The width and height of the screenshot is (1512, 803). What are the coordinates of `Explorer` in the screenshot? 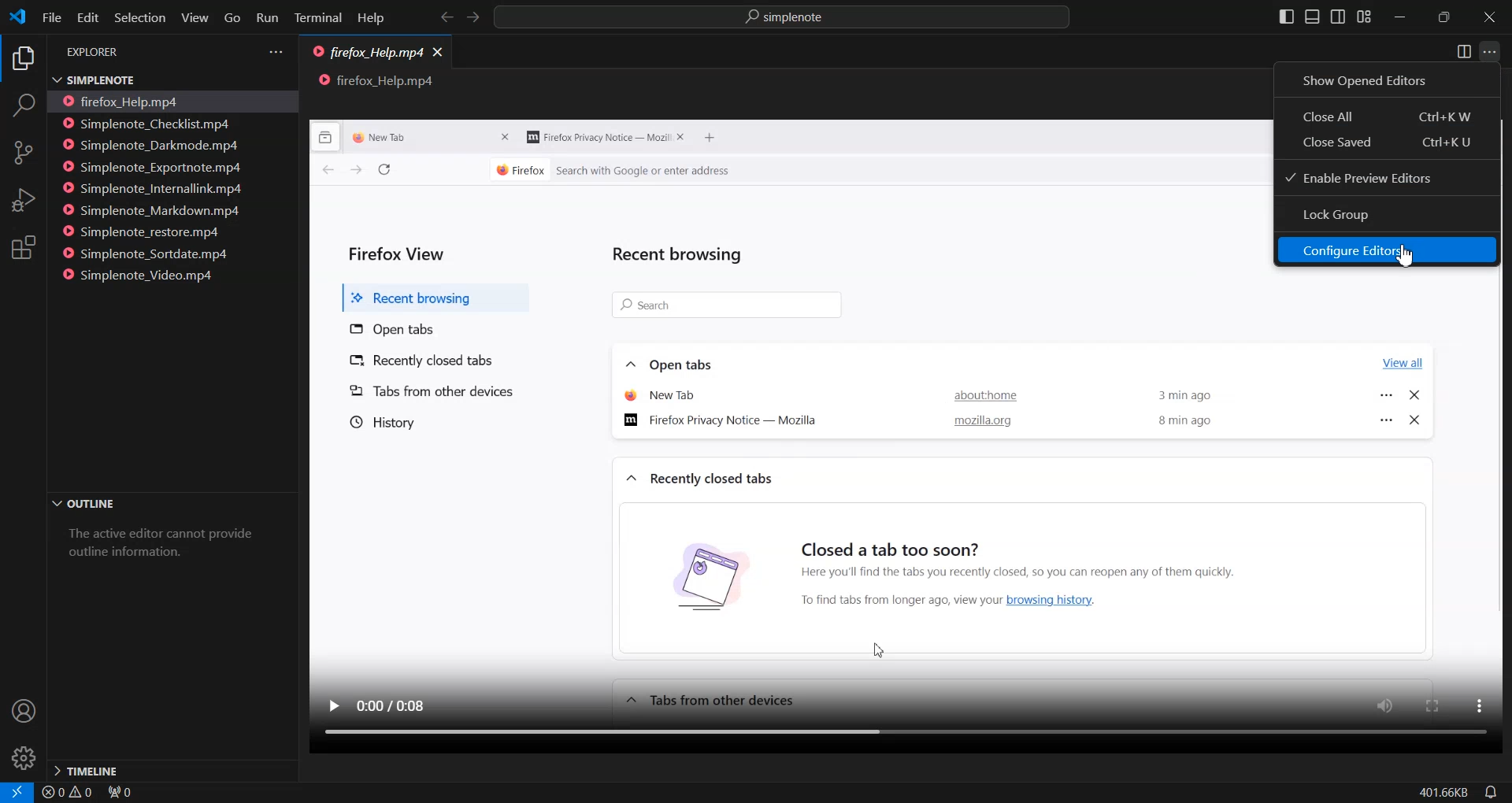 It's located at (22, 60).